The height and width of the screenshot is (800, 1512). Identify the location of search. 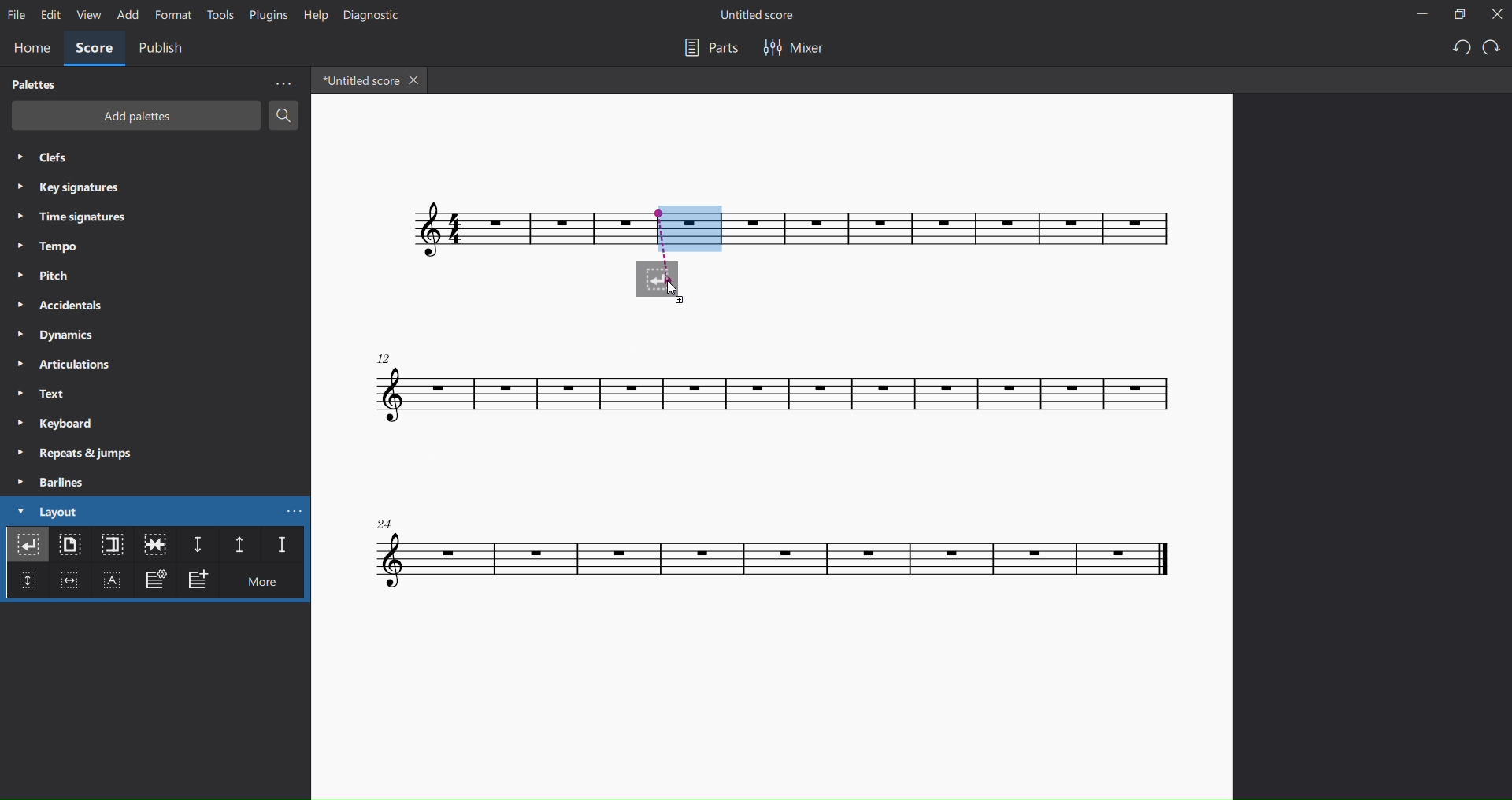
(285, 118).